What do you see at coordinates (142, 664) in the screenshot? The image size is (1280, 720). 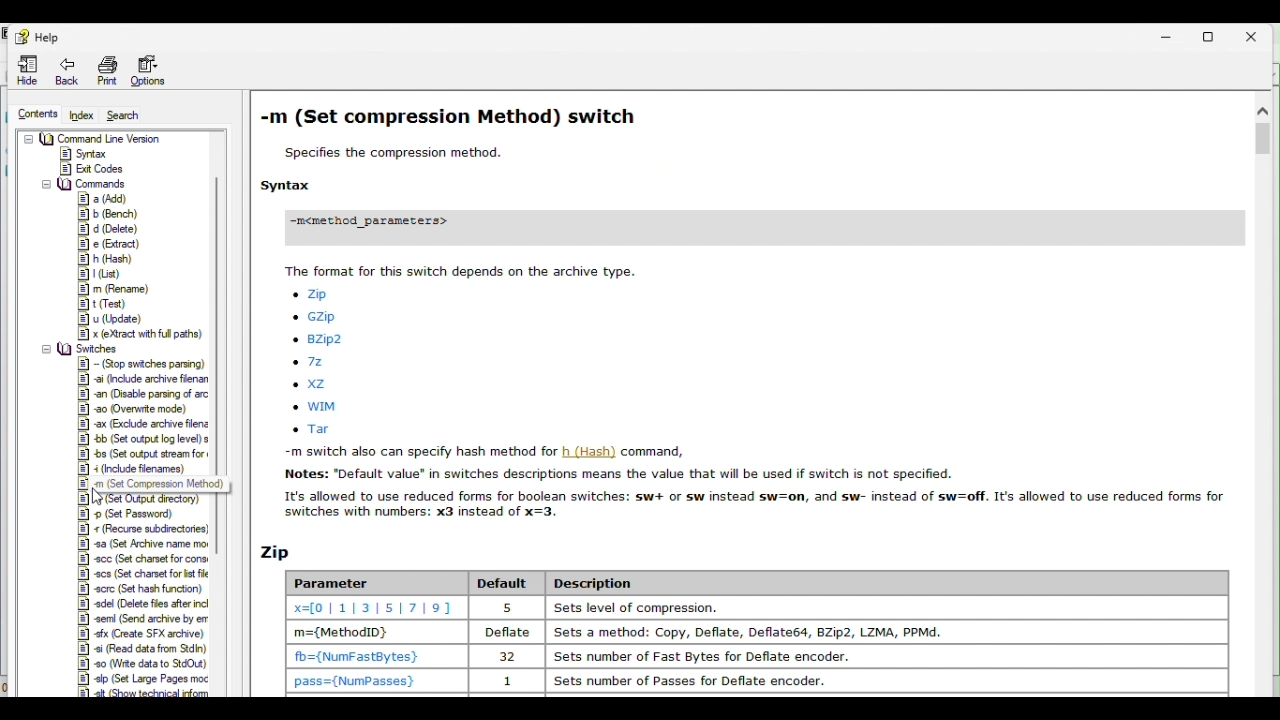 I see `so` at bounding box center [142, 664].